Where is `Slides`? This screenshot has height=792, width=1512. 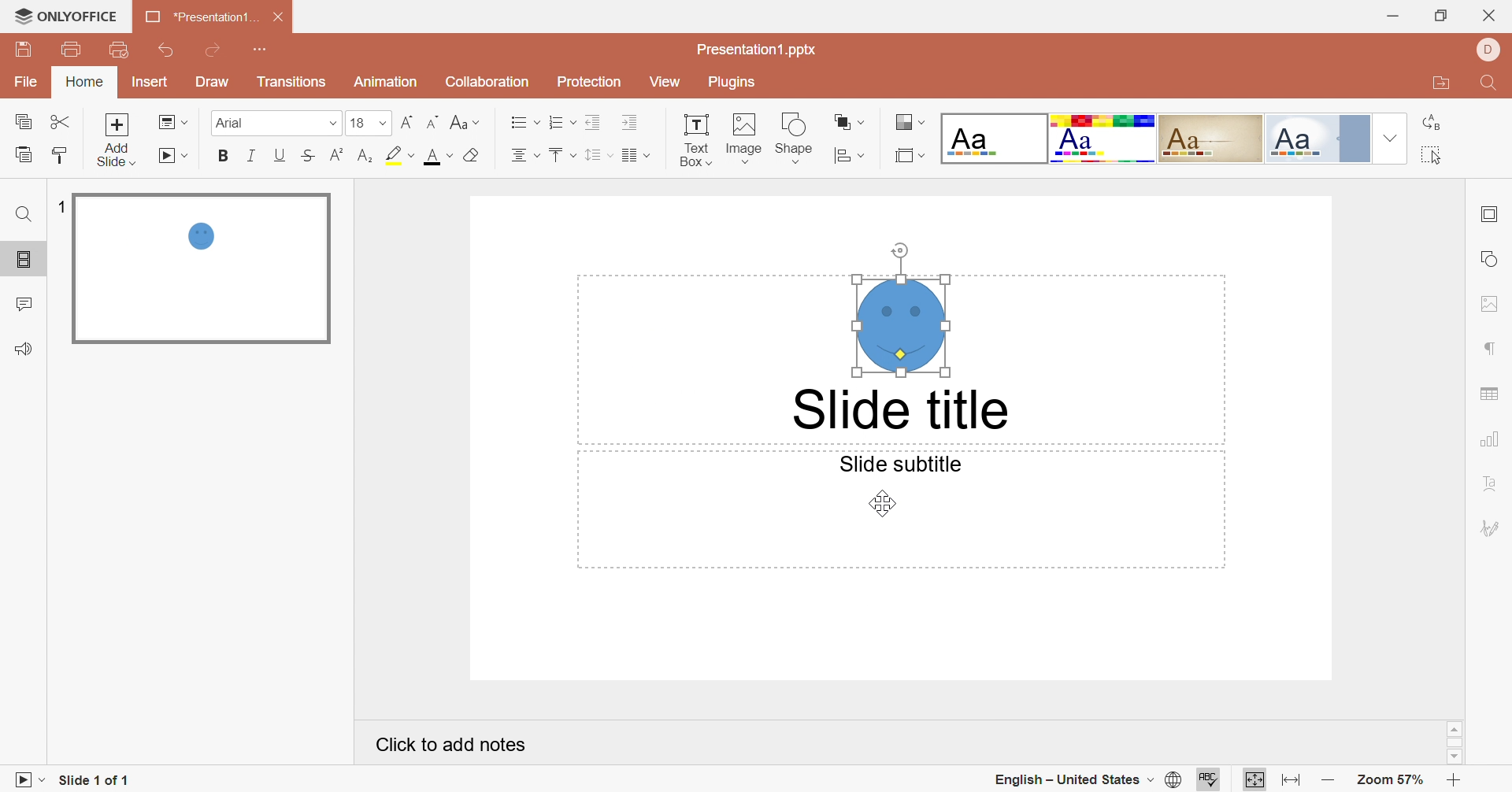
Slides is located at coordinates (27, 261).